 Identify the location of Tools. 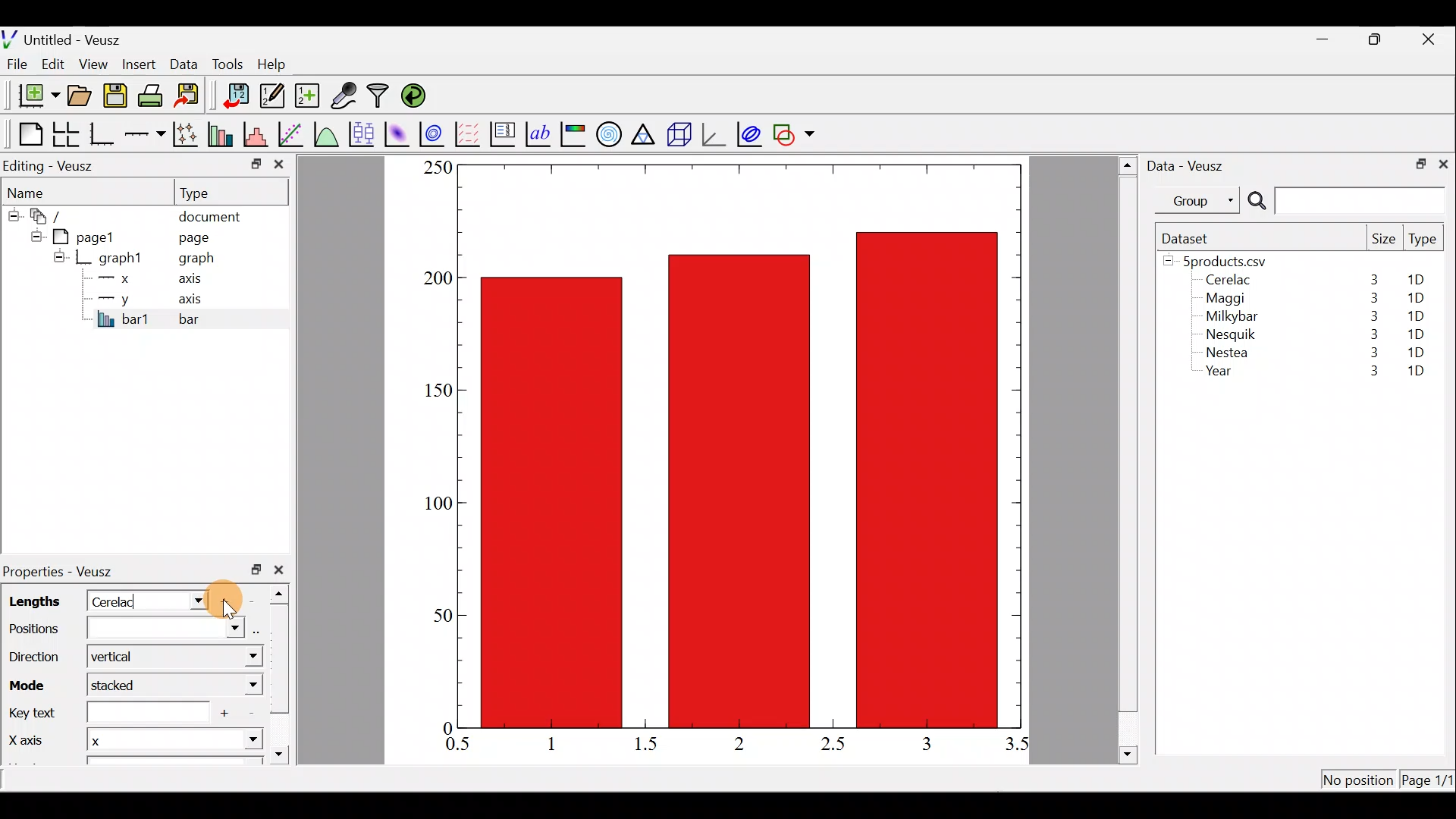
(227, 63).